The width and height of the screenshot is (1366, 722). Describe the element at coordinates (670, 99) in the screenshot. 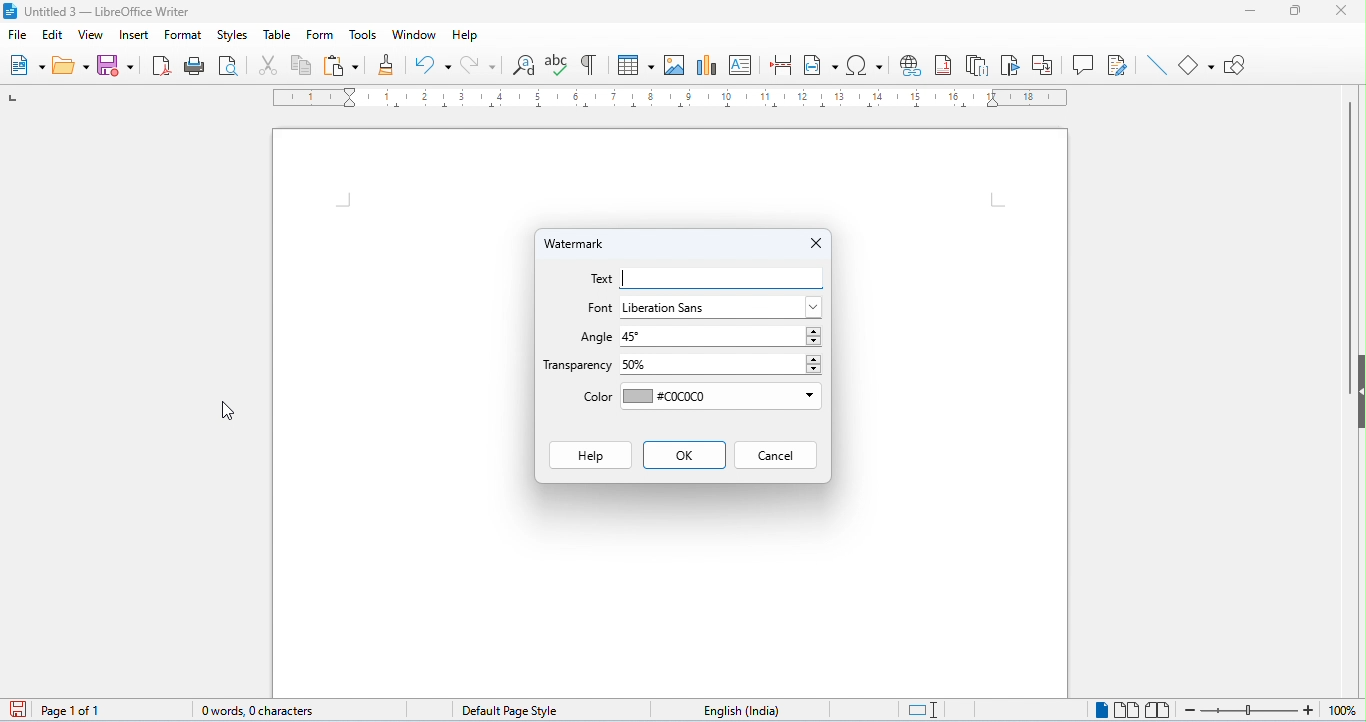

I see `ruler` at that location.